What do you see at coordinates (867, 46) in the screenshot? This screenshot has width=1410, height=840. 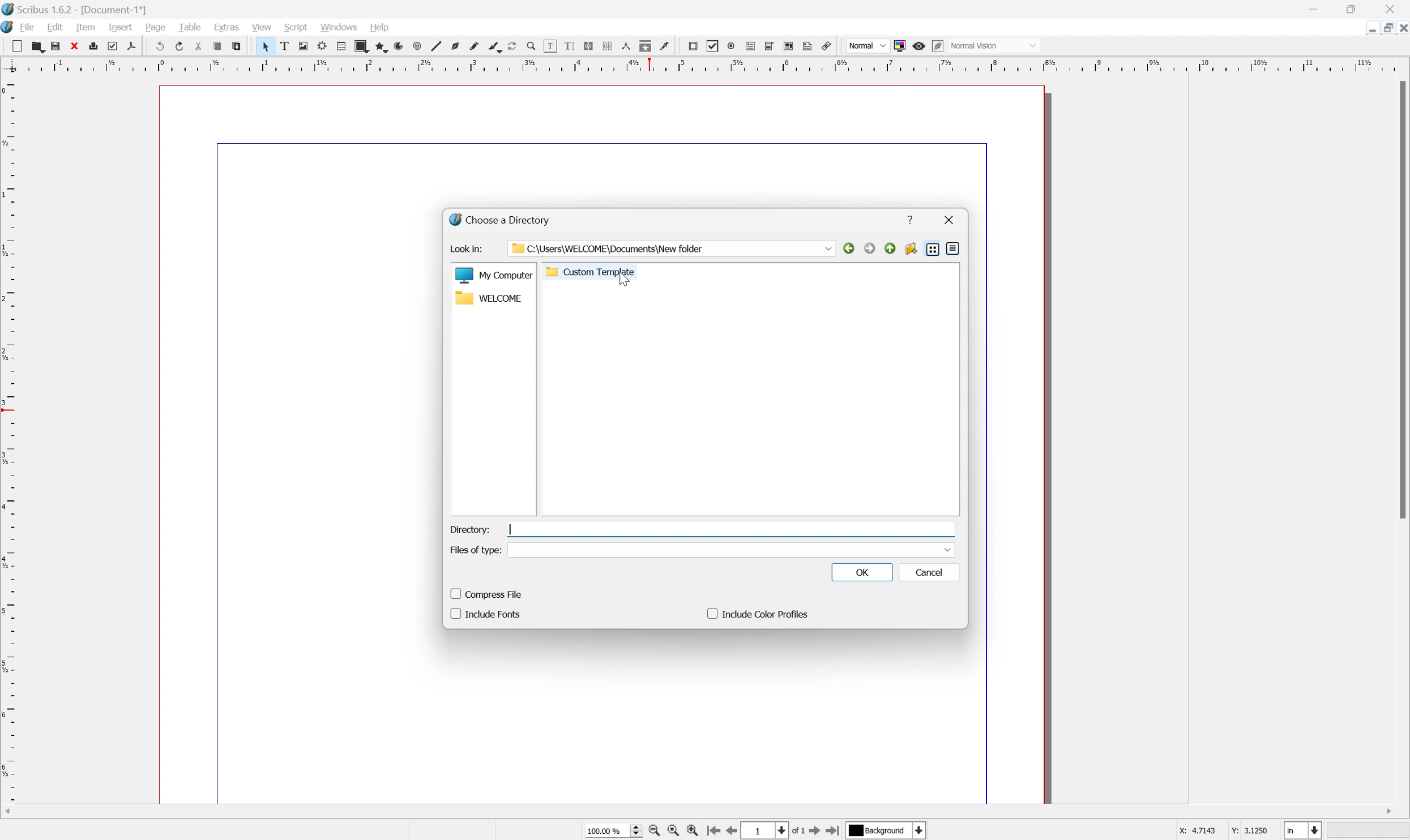 I see `Normal` at bounding box center [867, 46].